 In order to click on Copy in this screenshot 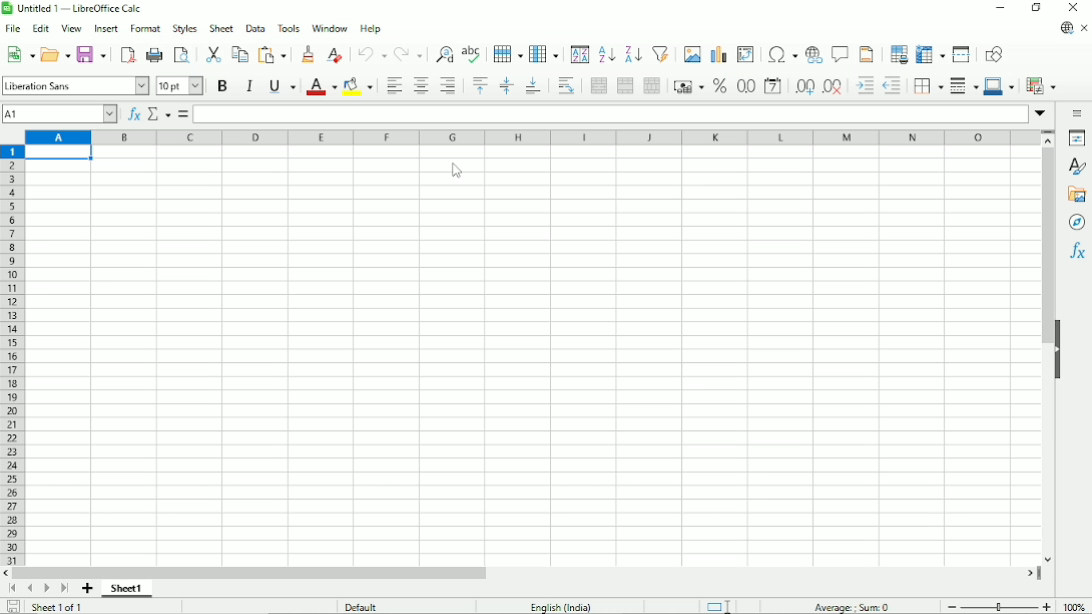, I will do `click(239, 54)`.